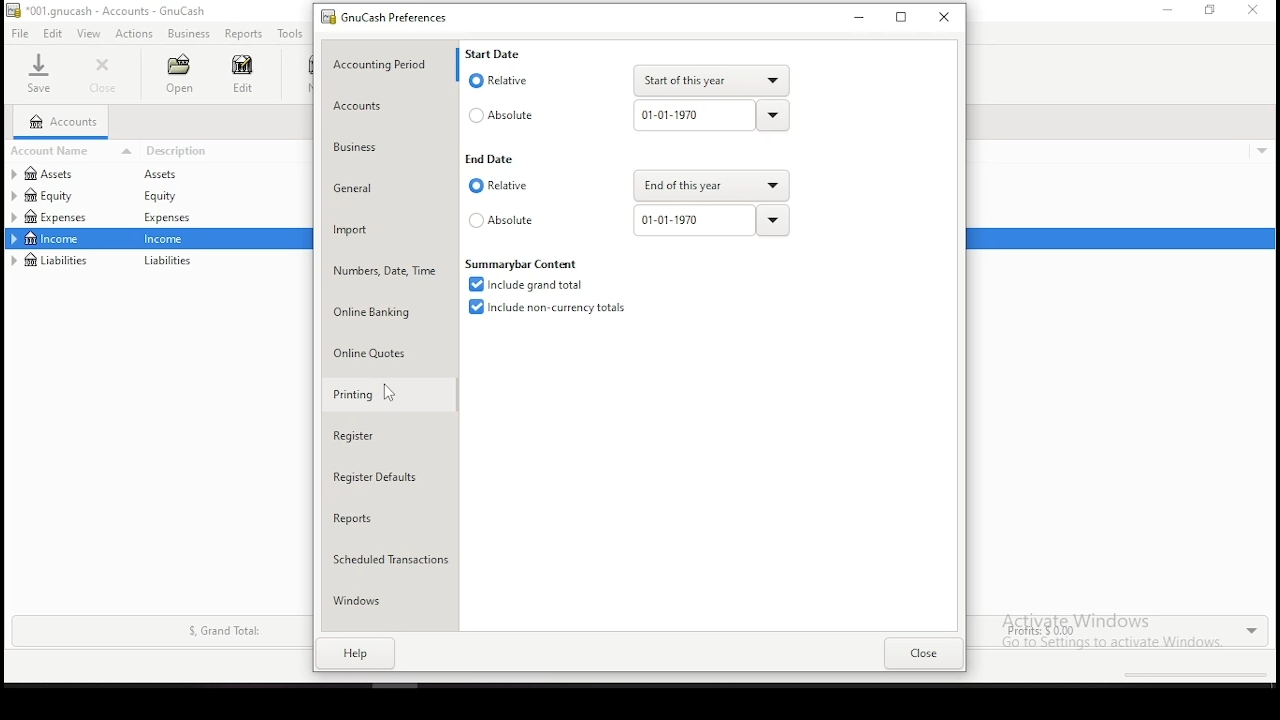 The height and width of the screenshot is (720, 1280). Describe the element at coordinates (62, 122) in the screenshot. I see `accounts` at that location.